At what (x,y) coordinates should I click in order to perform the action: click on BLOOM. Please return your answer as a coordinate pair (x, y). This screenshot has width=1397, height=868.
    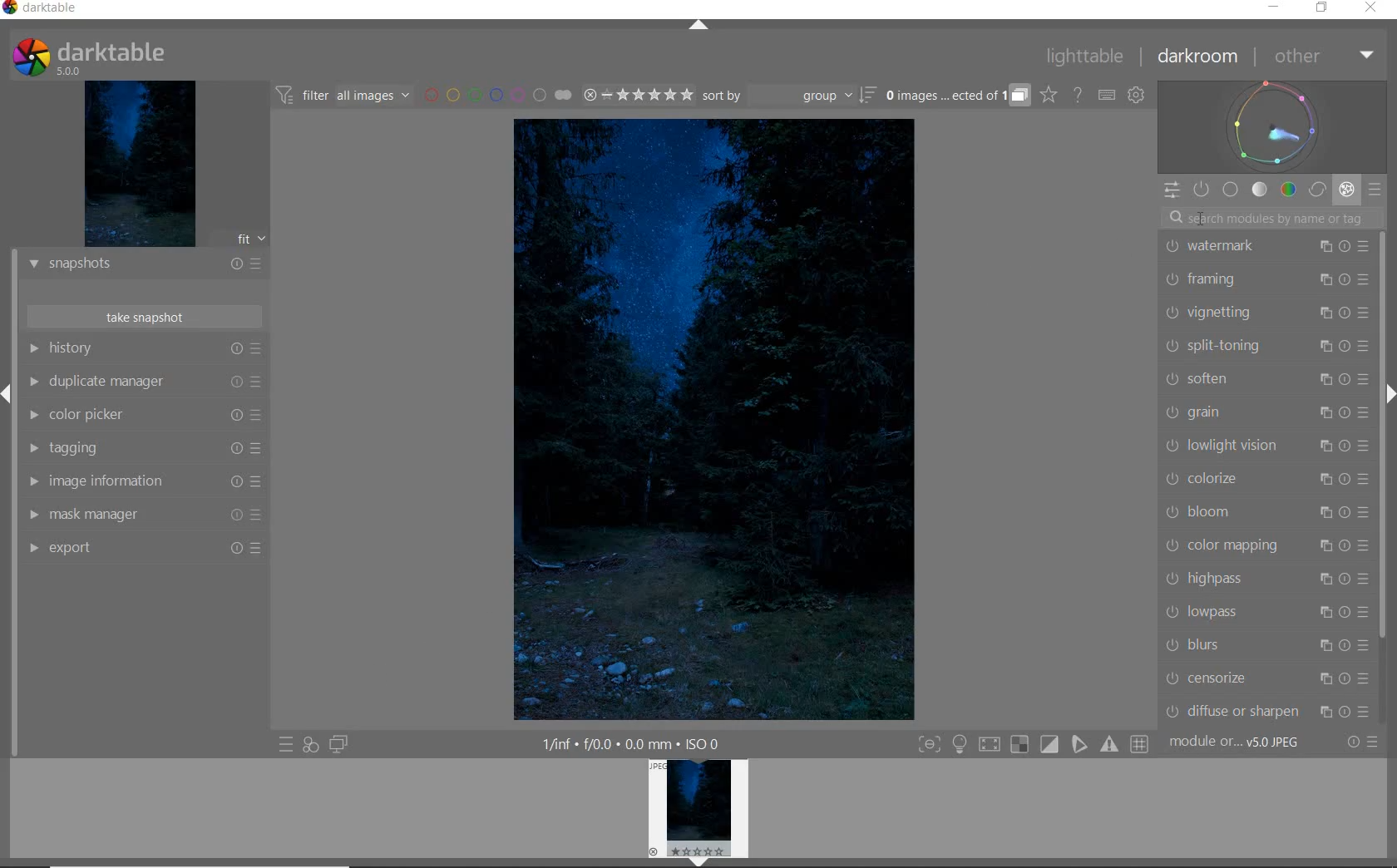
    Looking at the image, I should click on (1265, 512).